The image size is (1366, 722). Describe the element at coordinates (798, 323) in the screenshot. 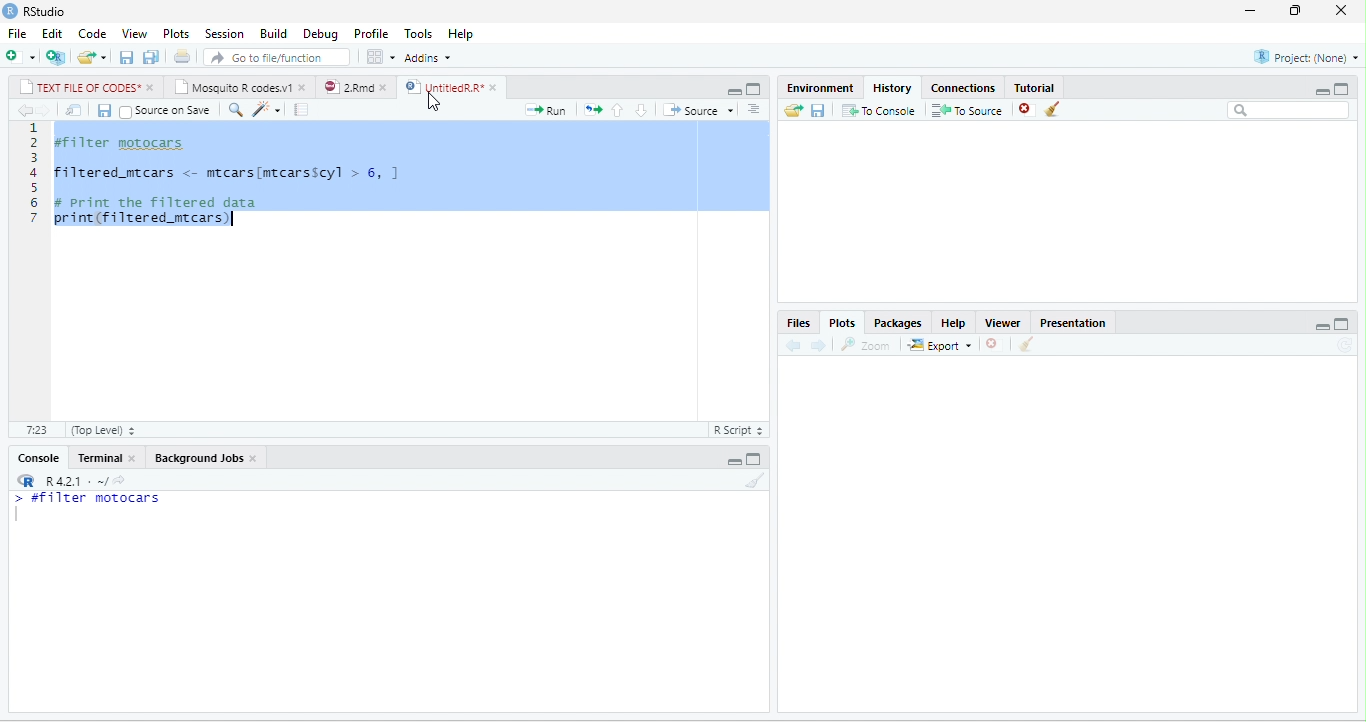

I see `Files` at that location.